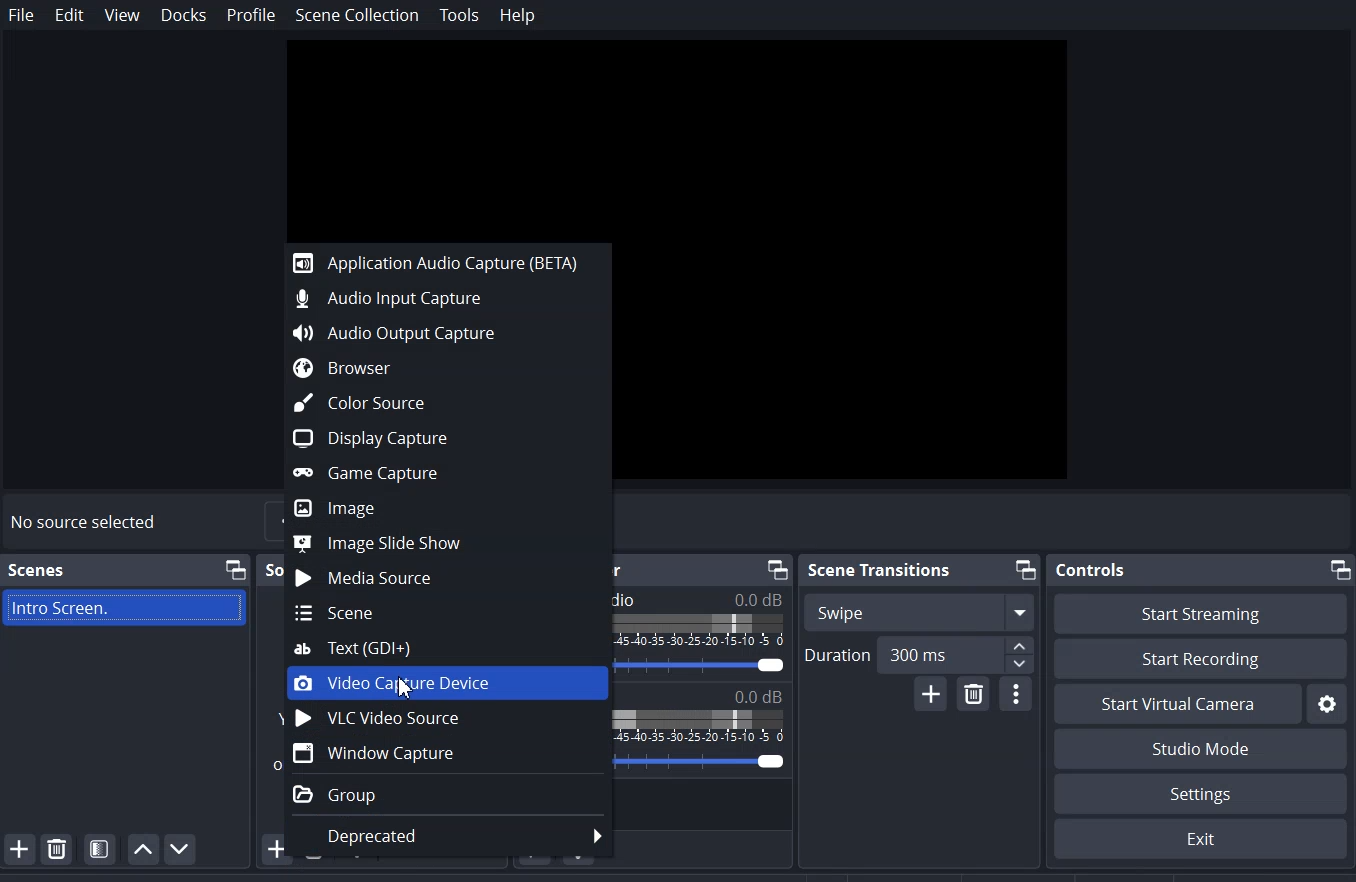 This screenshot has height=882, width=1356. Describe the element at coordinates (262, 849) in the screenshot. I see `Add Source` at that location.